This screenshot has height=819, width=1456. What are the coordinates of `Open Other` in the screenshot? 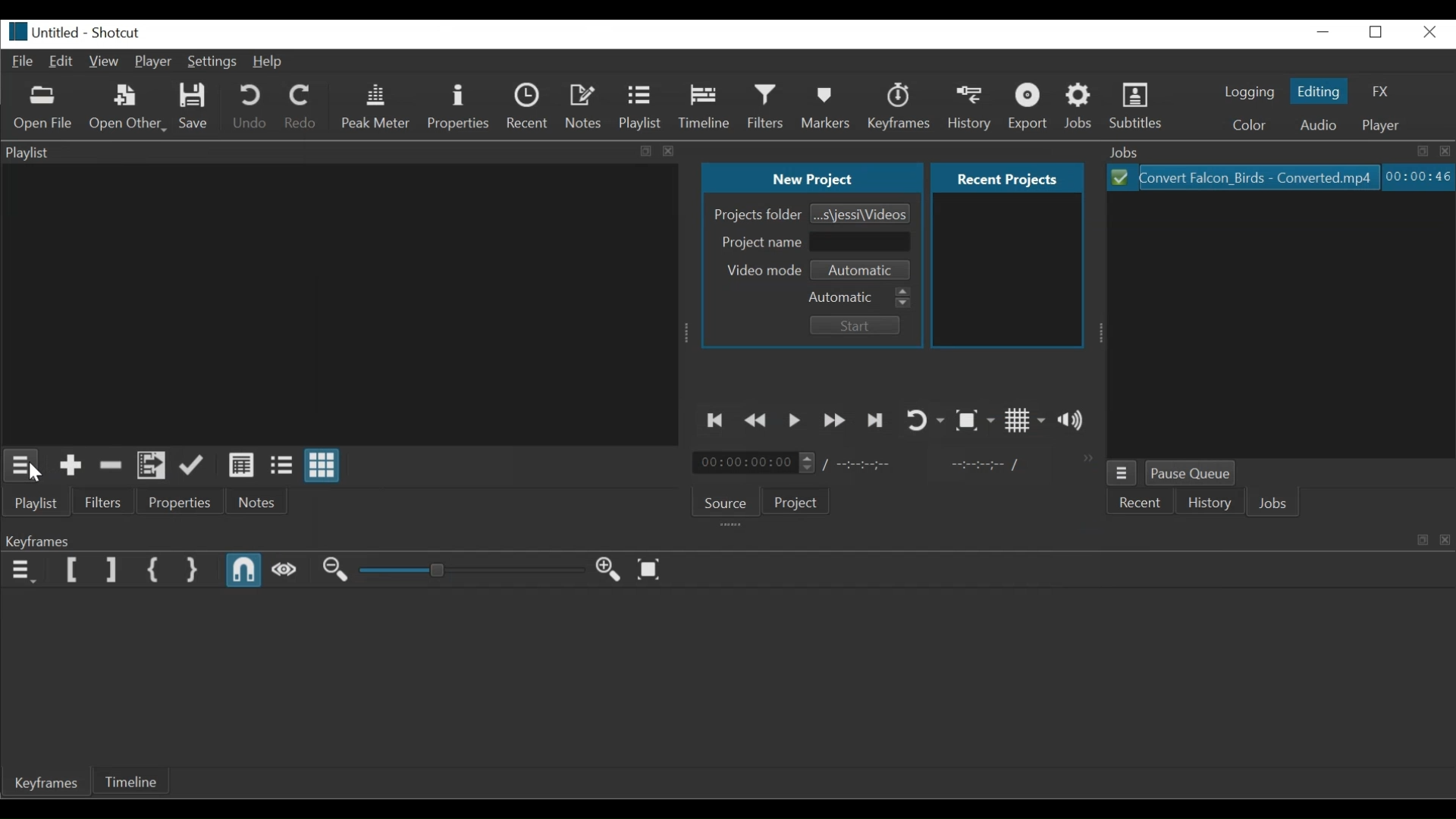 It's located at (128, 108).